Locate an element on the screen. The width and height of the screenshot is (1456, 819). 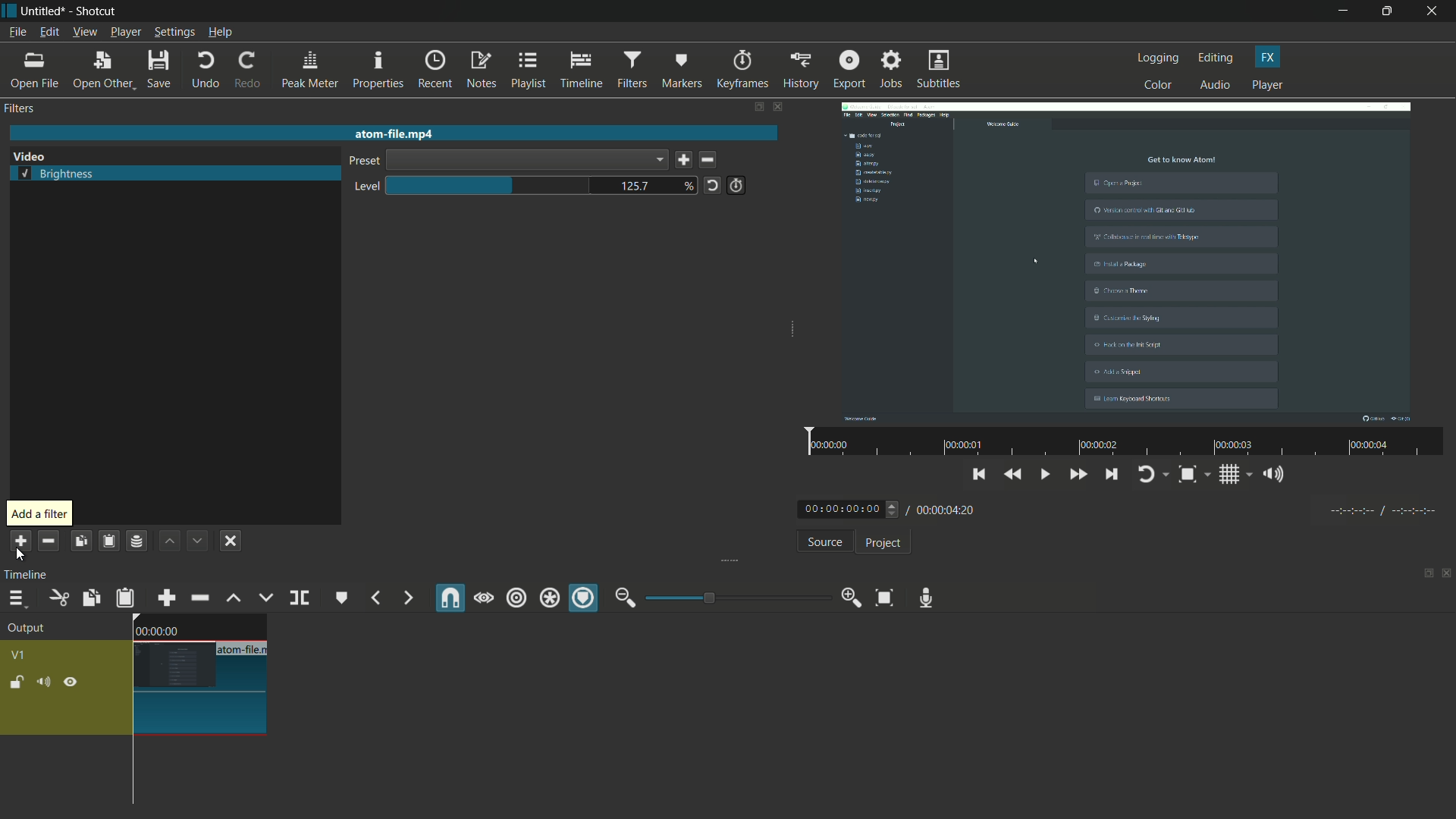
zoom out is located at coordinates (625, 598).